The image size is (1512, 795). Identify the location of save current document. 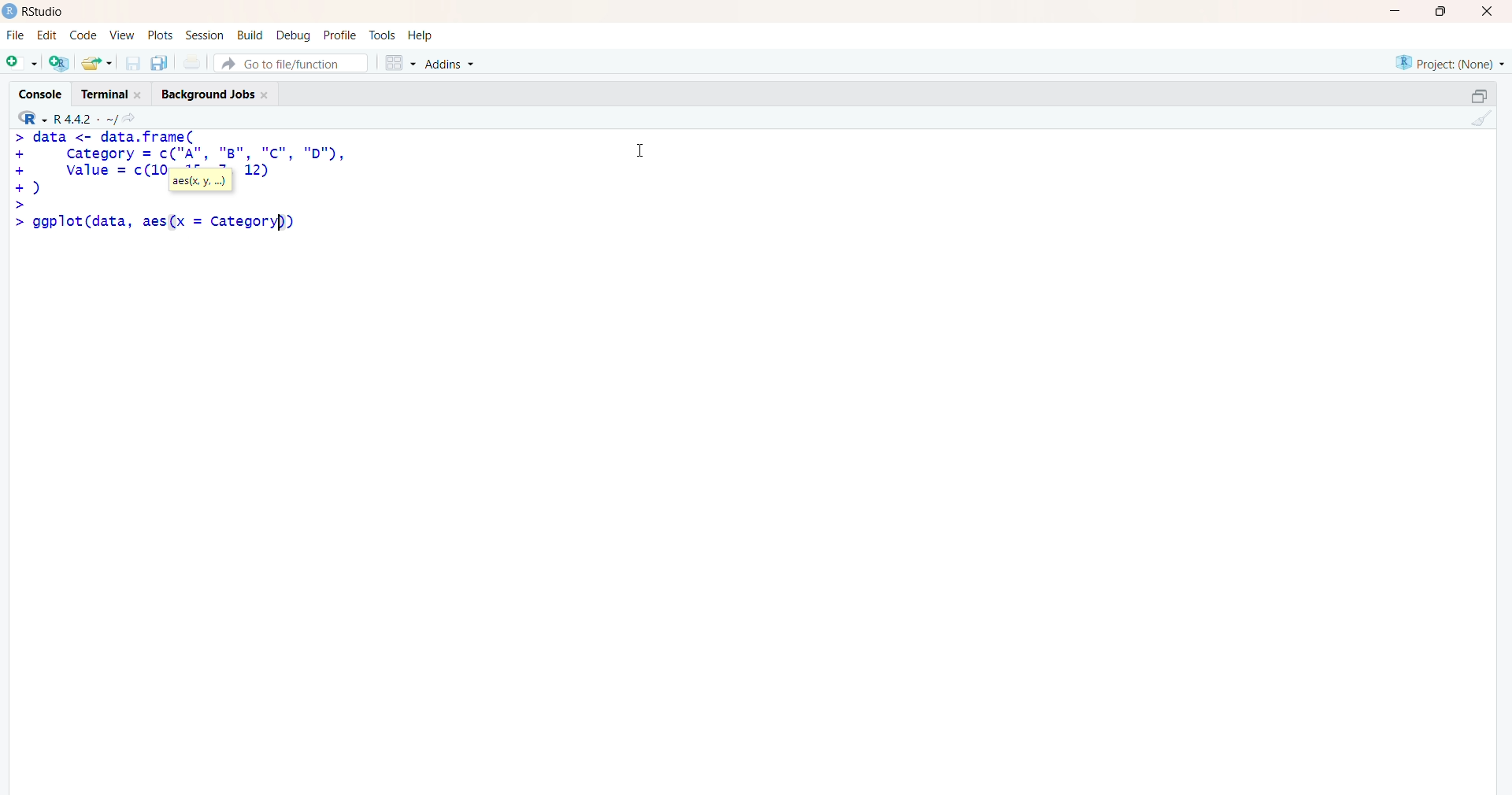
(132, 63).